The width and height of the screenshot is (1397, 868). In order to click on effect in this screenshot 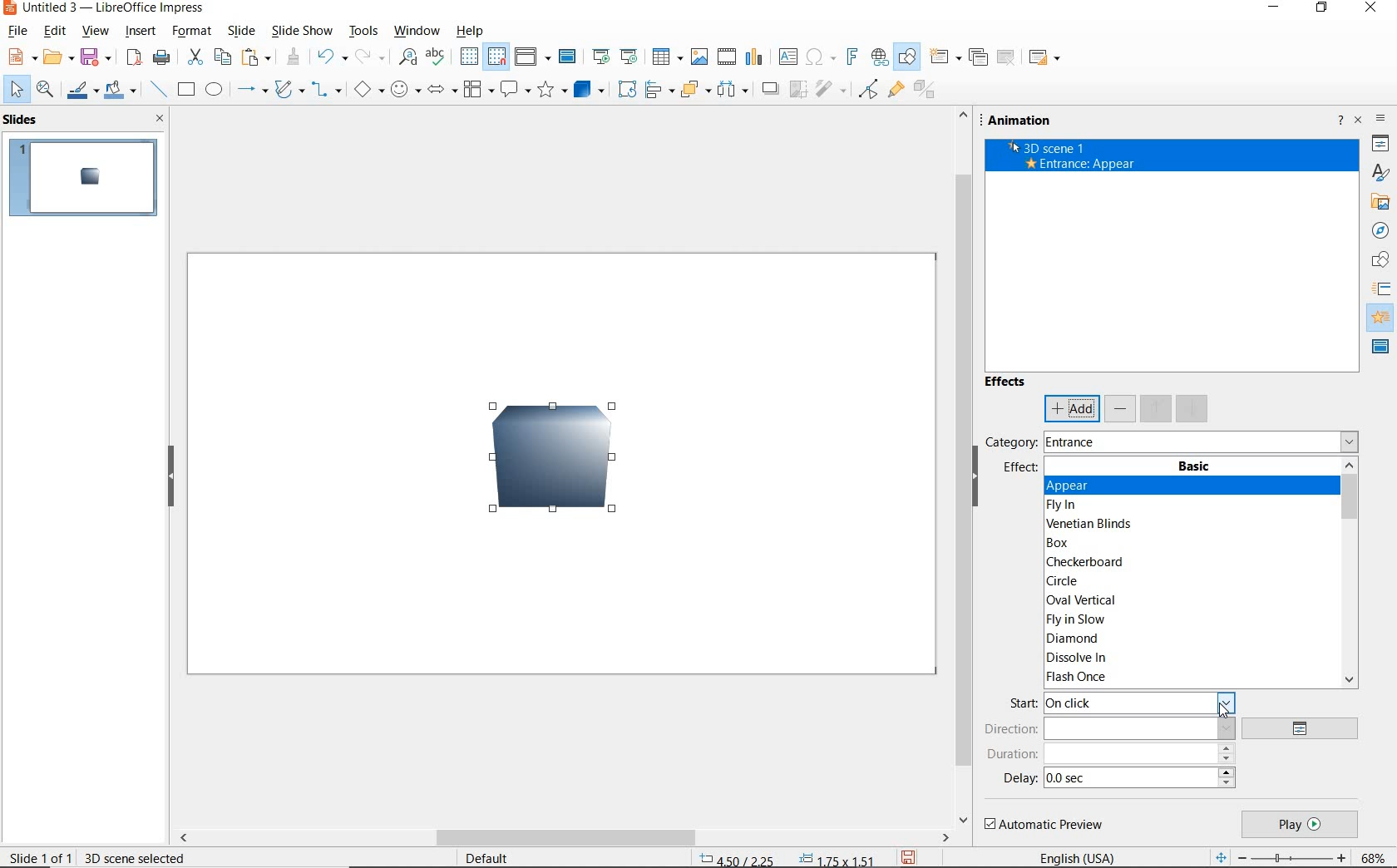, I will do `click(1019, 471)`.